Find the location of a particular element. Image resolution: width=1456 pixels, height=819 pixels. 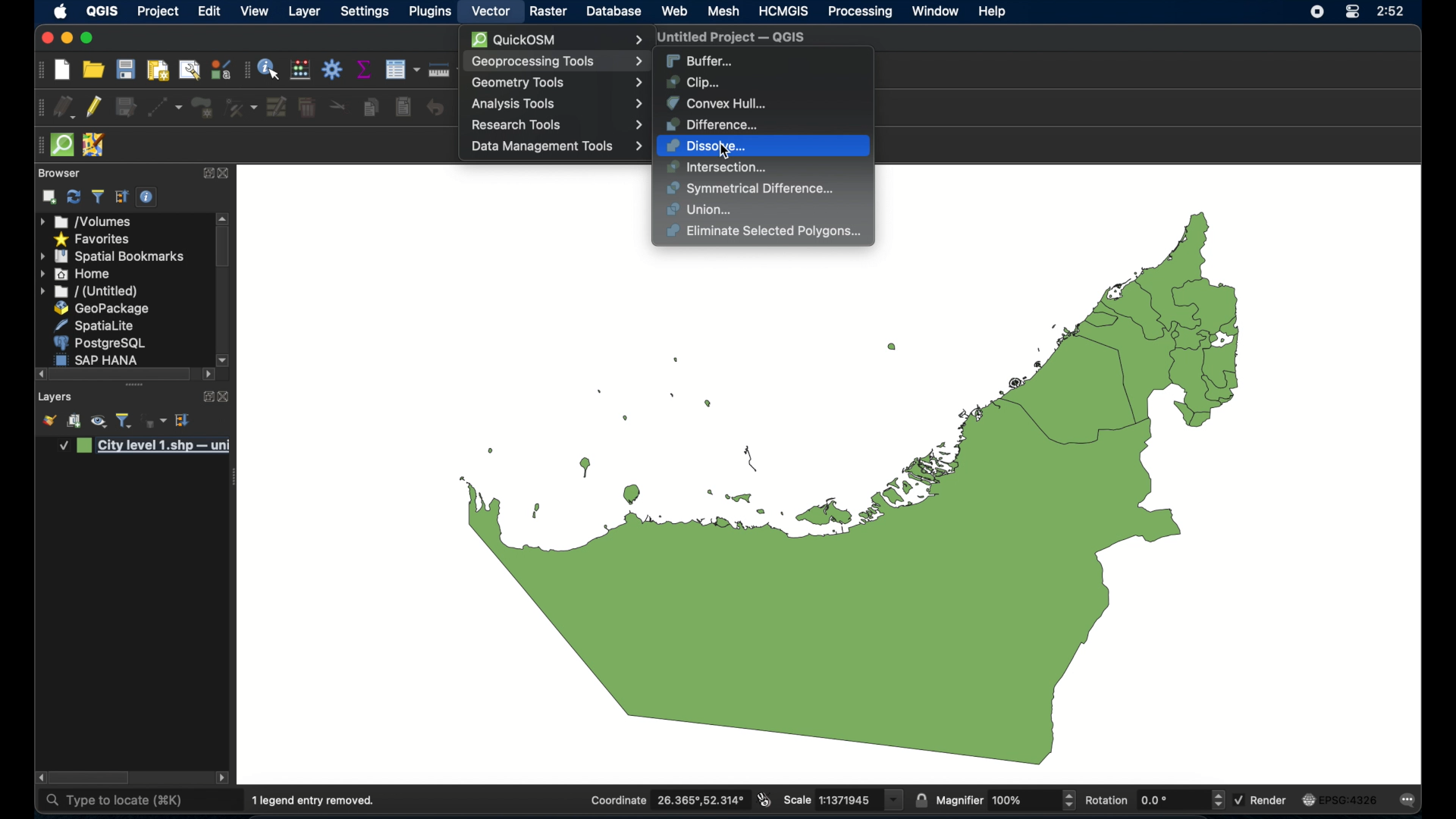

toolbox is located at coordinates (333, 69).